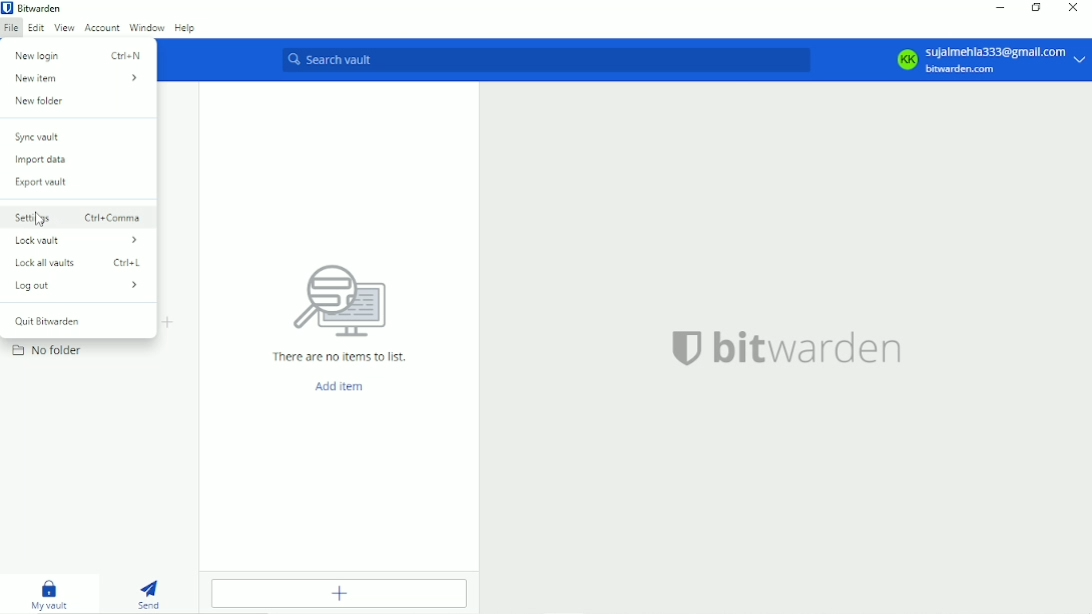  Describe the element at coordinates (63, 27) in the screenshot. I see `View` at that location.